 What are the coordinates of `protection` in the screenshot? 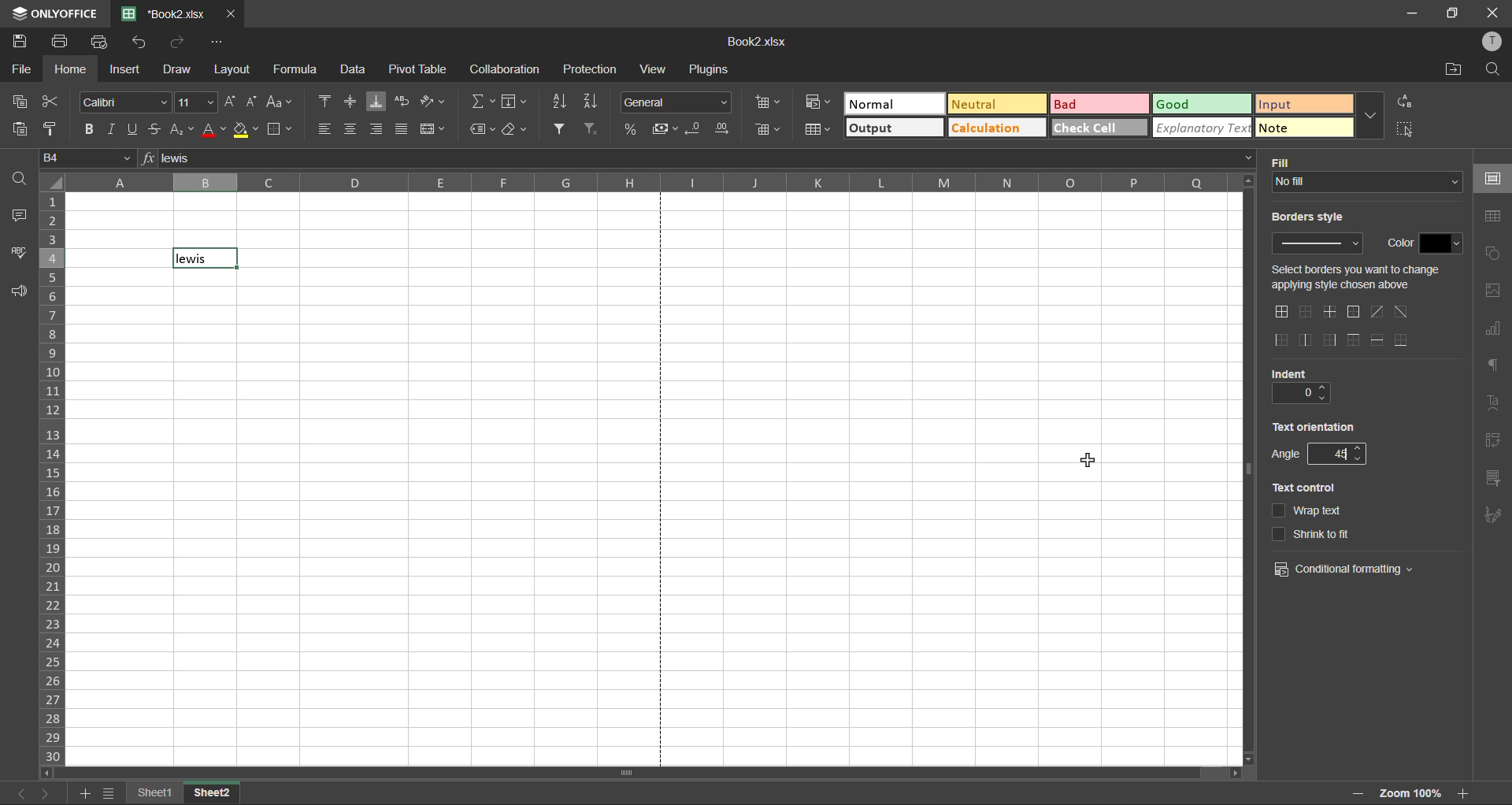 It's located at (590, 69).